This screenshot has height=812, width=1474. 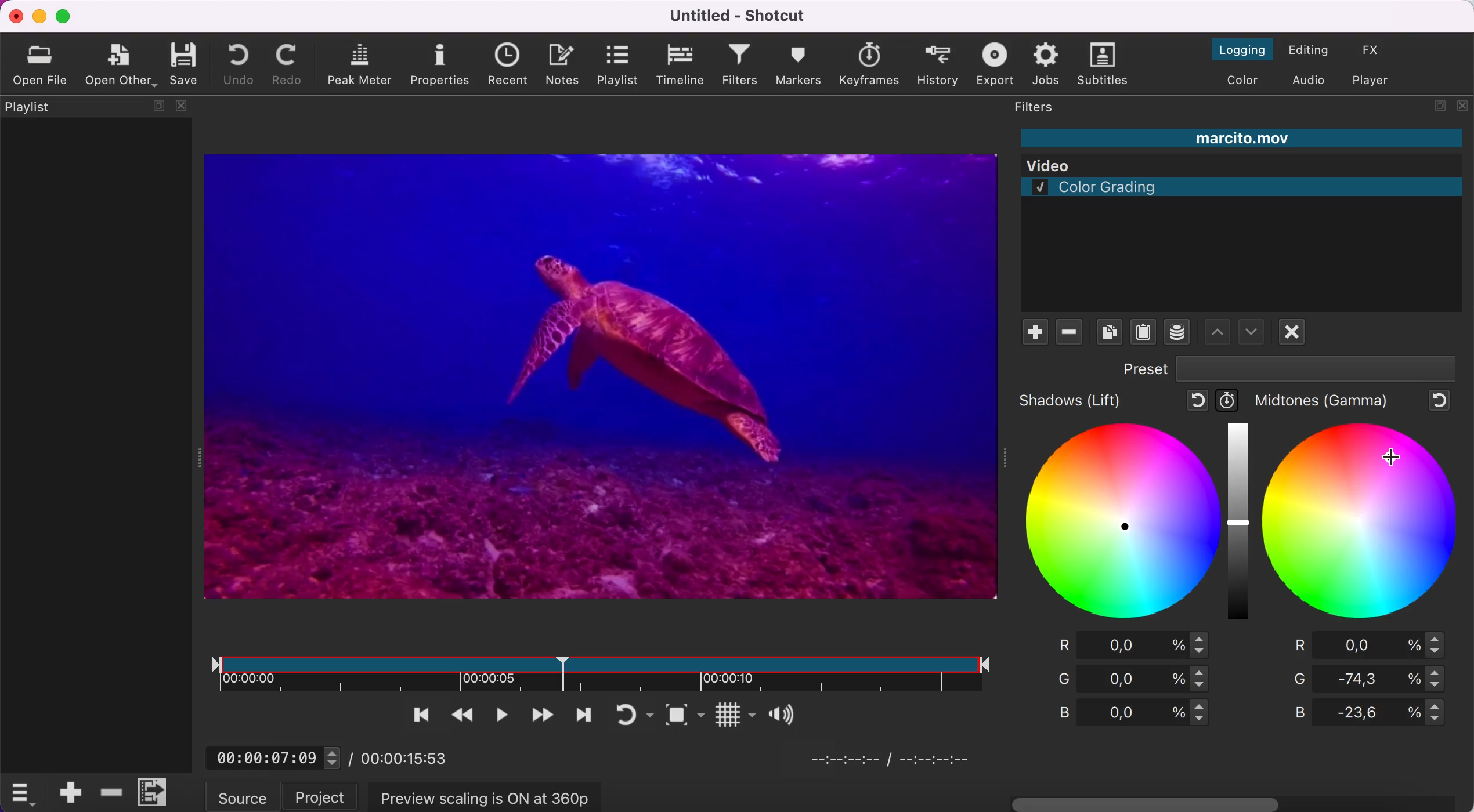 I want to click on shadows figure, so click(x=1114, y=521).